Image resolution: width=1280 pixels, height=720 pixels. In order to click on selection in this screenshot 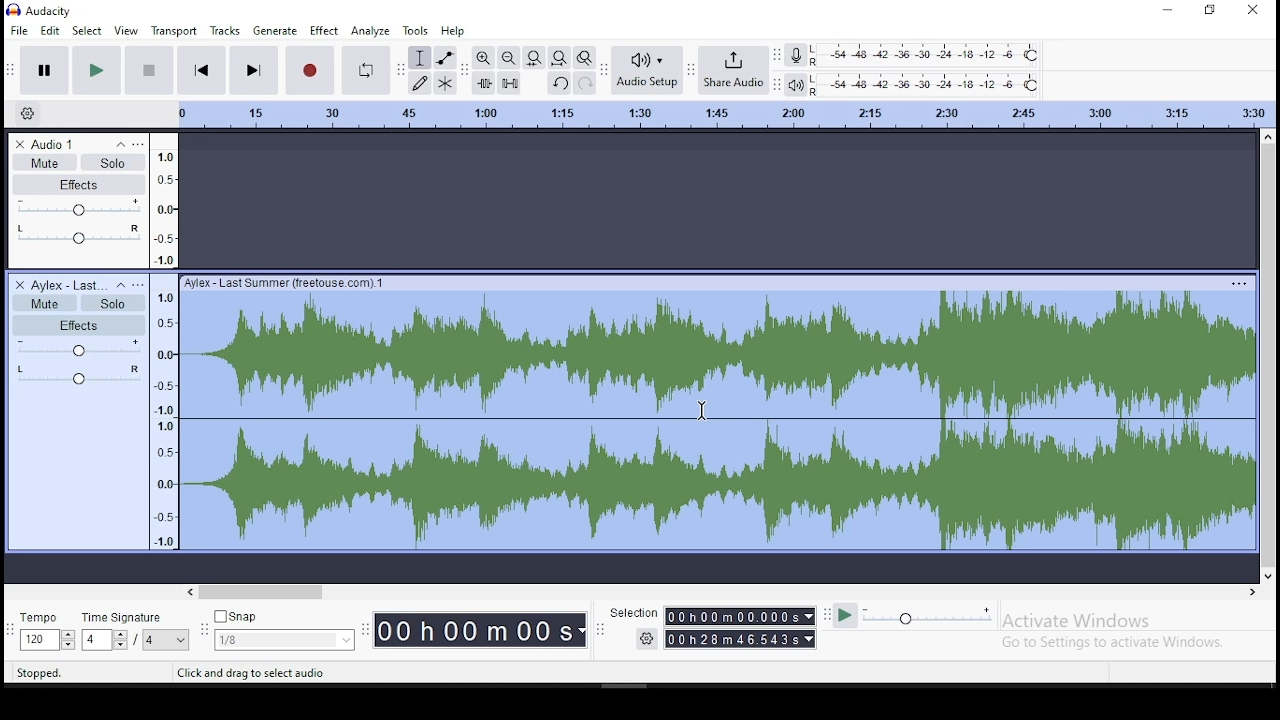, I will do `click(713, 627)`.